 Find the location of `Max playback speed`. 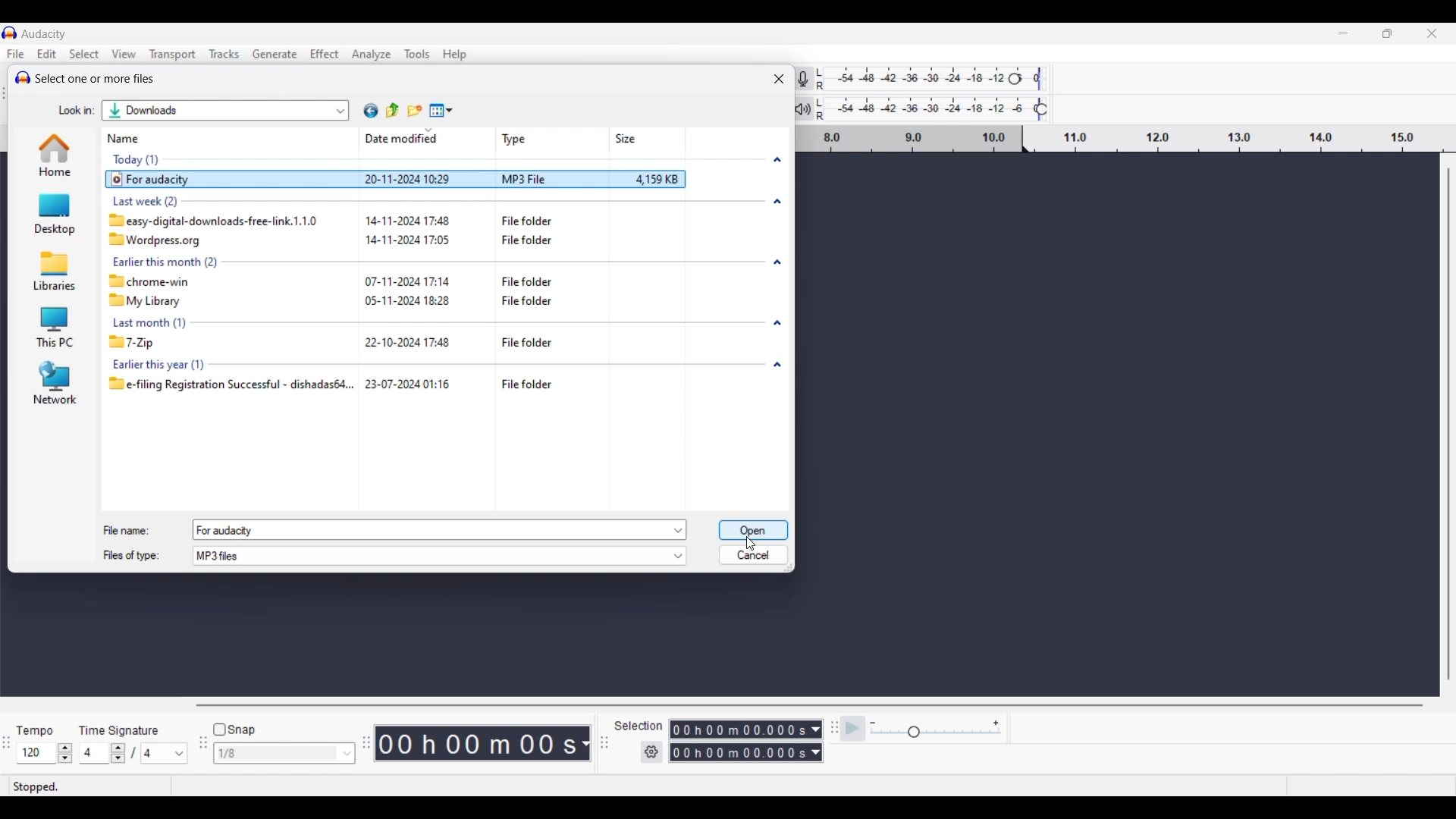

Max playback speed is located at coordinates (996, 723).